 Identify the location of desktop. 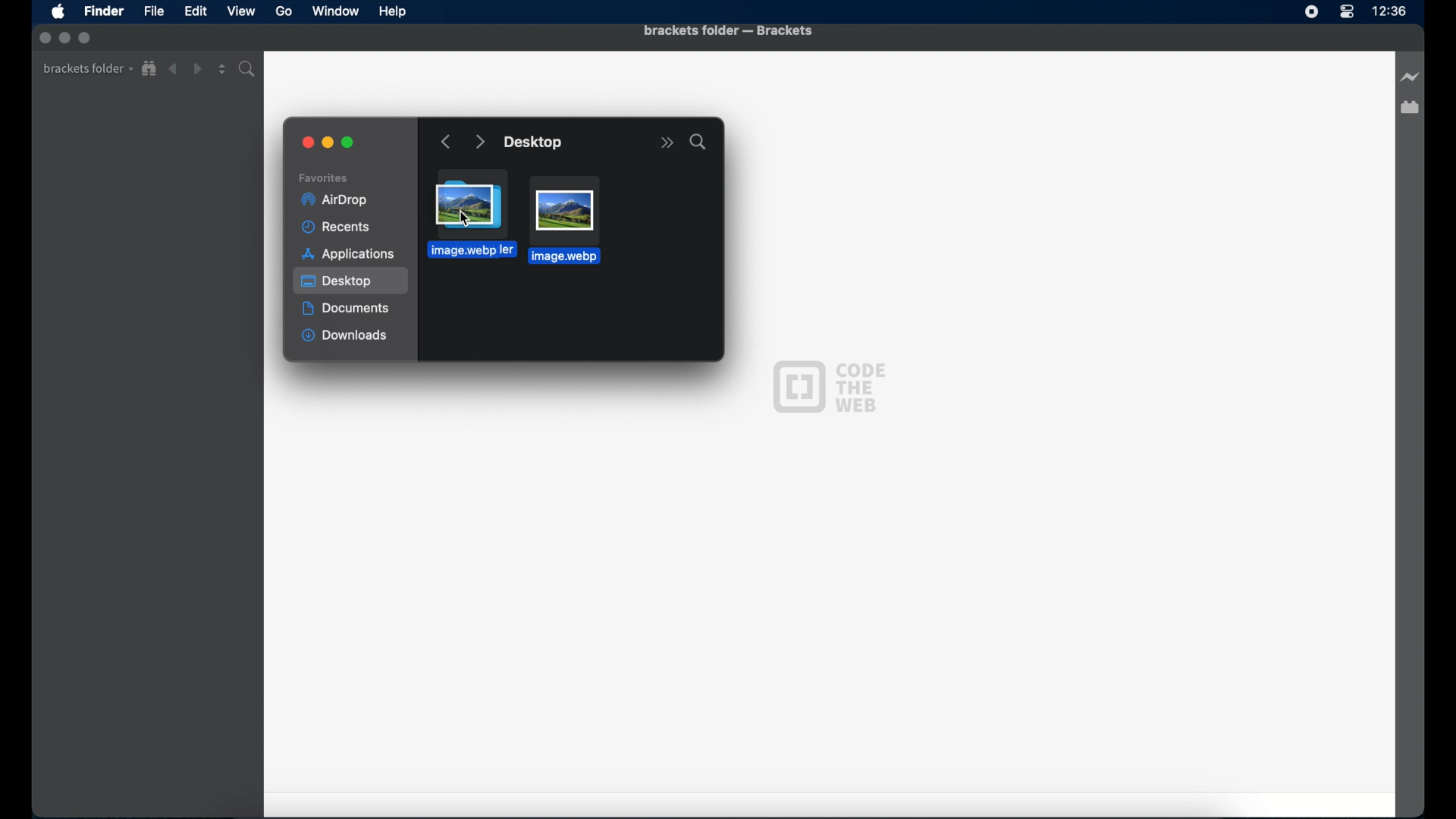
(535, 143).